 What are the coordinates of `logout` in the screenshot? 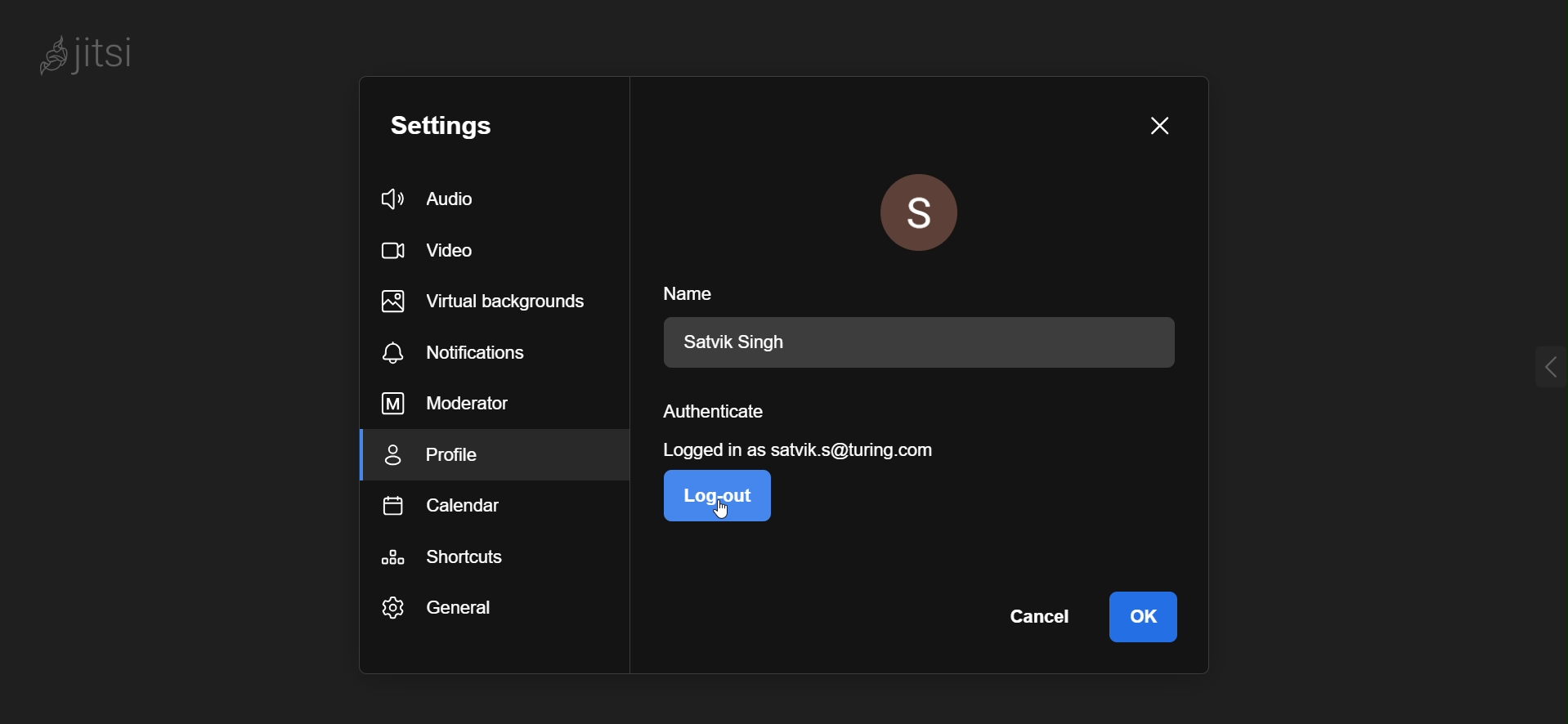 It's located at (725, 498).